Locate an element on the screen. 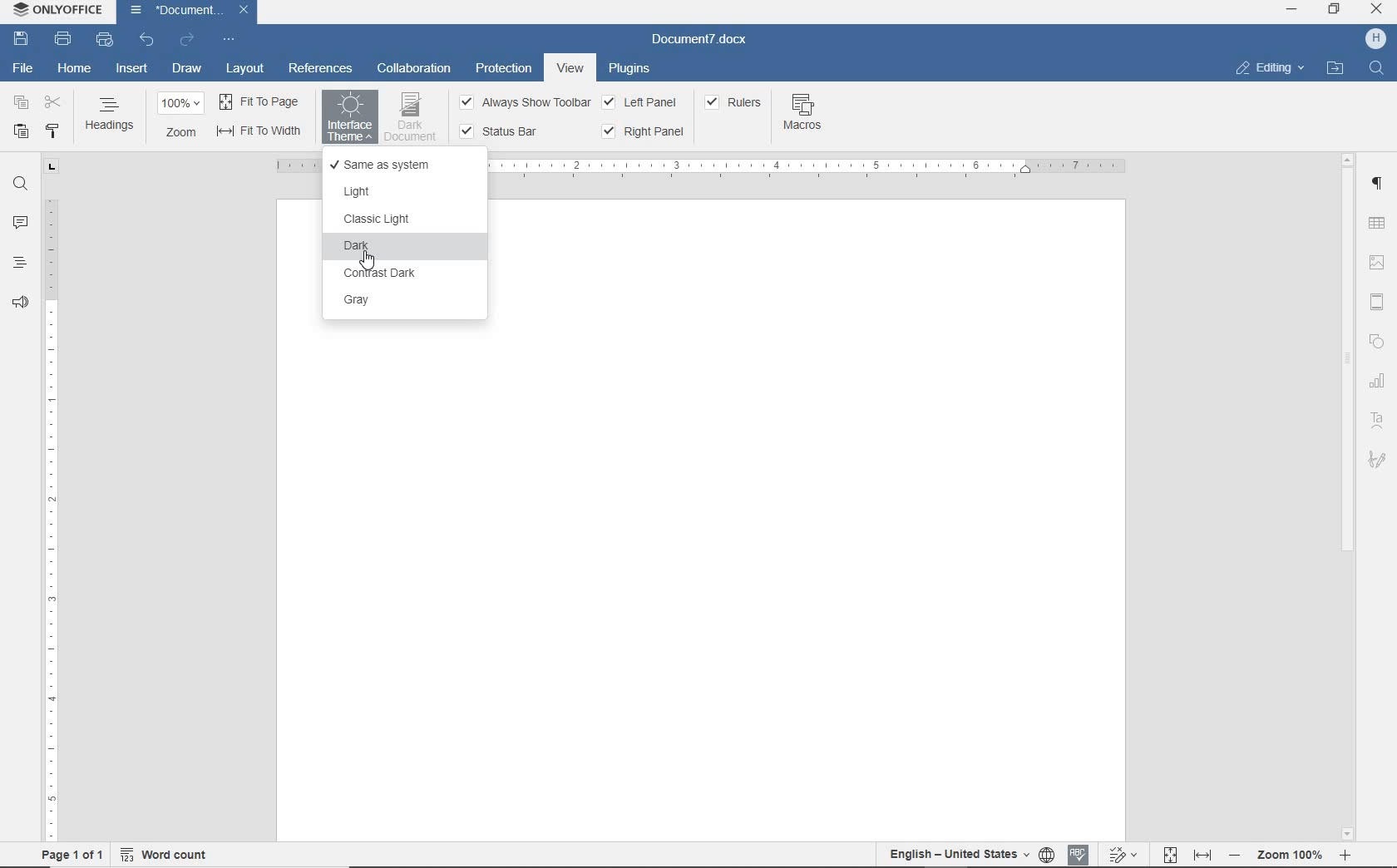 The height and width of the screenshot is (868, 1397). TAB STOP is located at coordinates (52, 168).